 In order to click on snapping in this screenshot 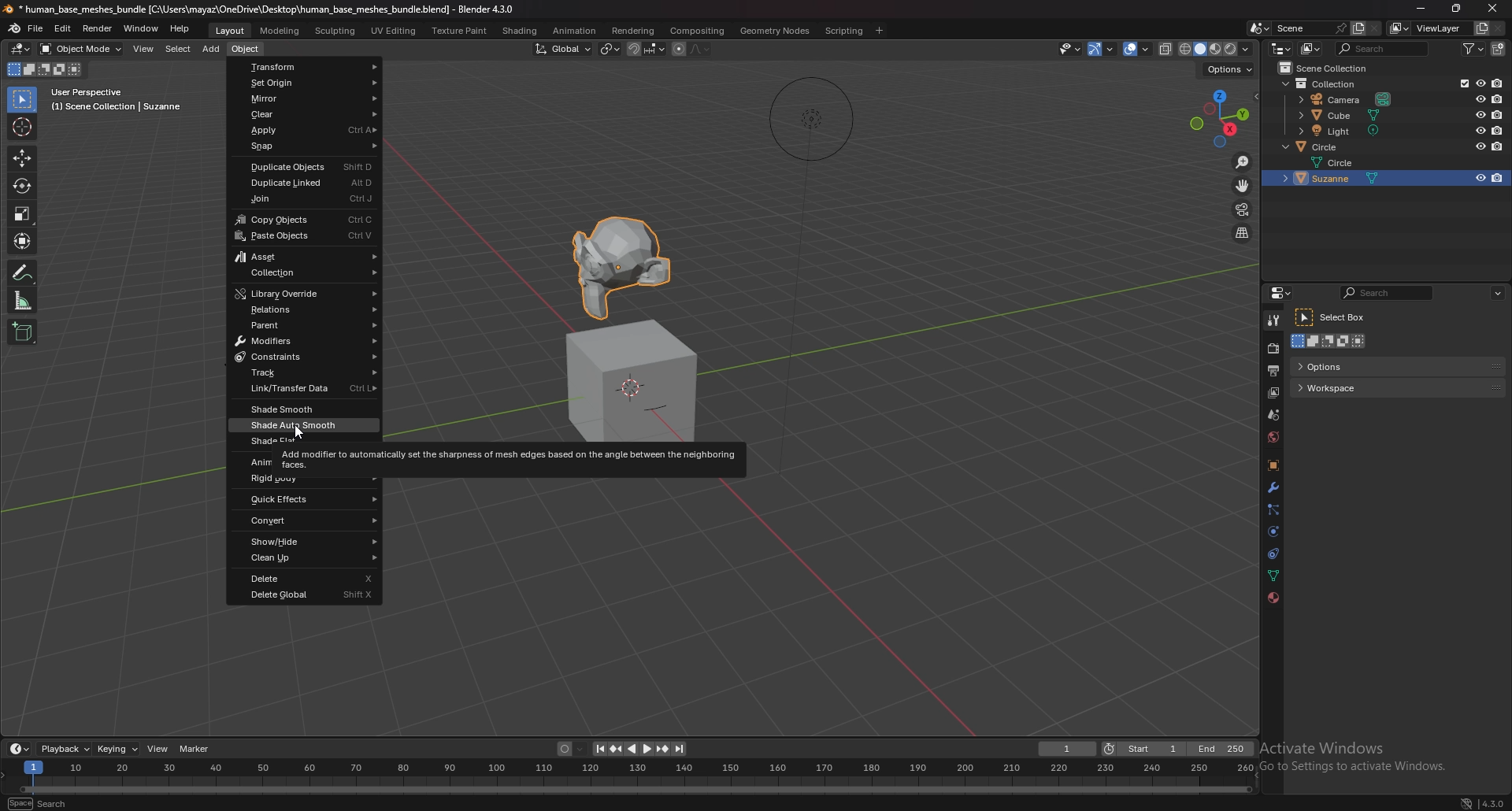, I will do `click(646, 49)`.